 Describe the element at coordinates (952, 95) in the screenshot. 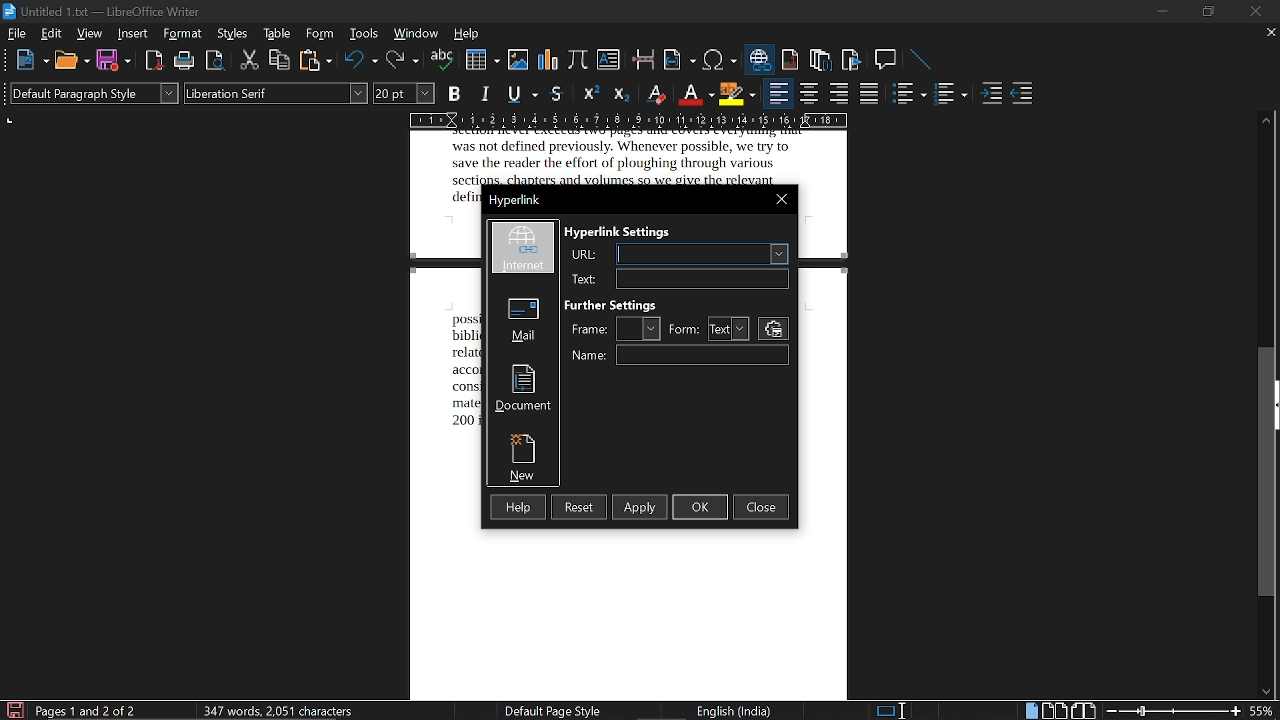

I see `toggle unordered list` at that location.